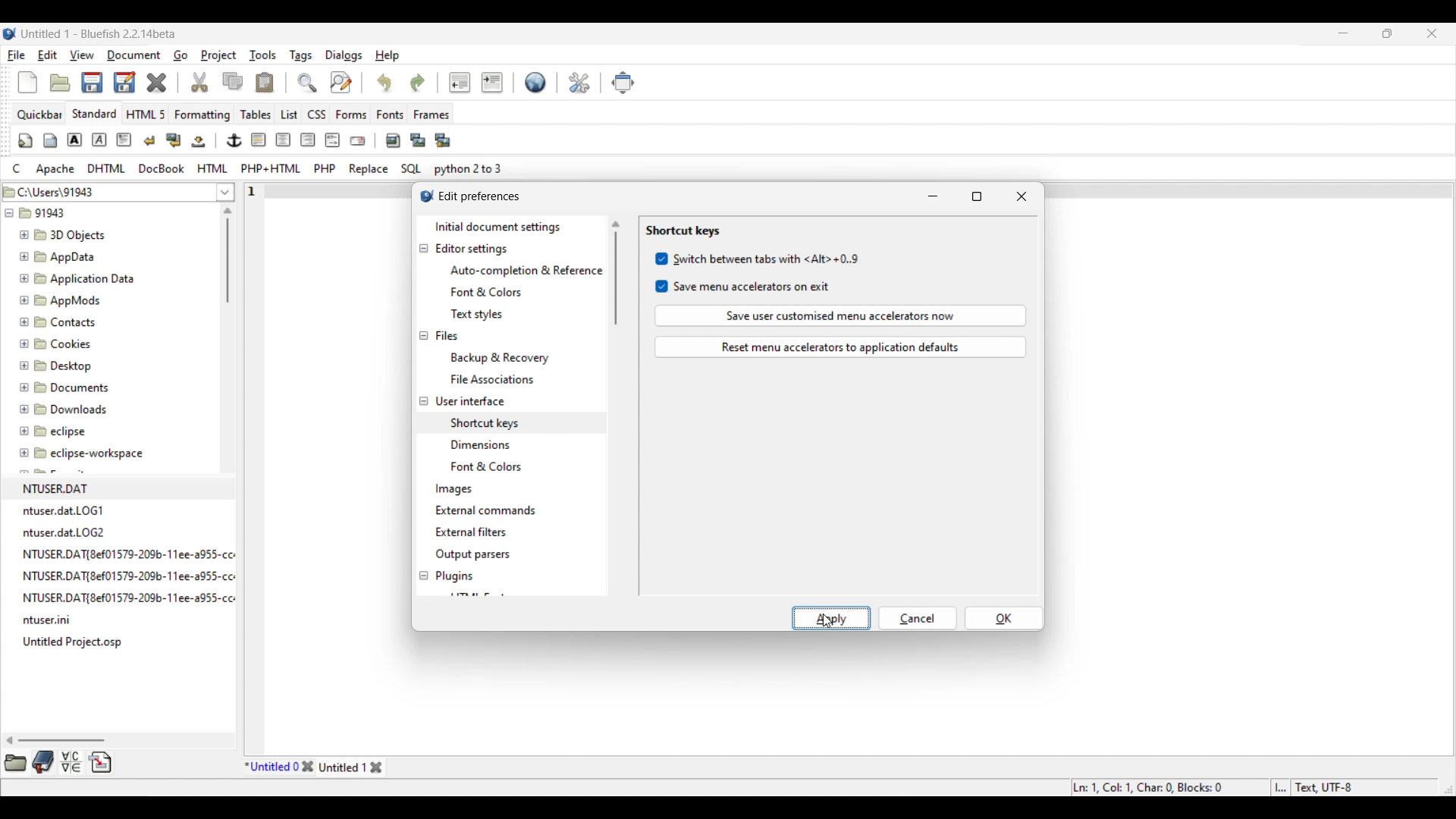 The image size is (1456, 819). Describe the element at coordinates (146, 114) in the screenshot. I see `HTML 5` at that location.